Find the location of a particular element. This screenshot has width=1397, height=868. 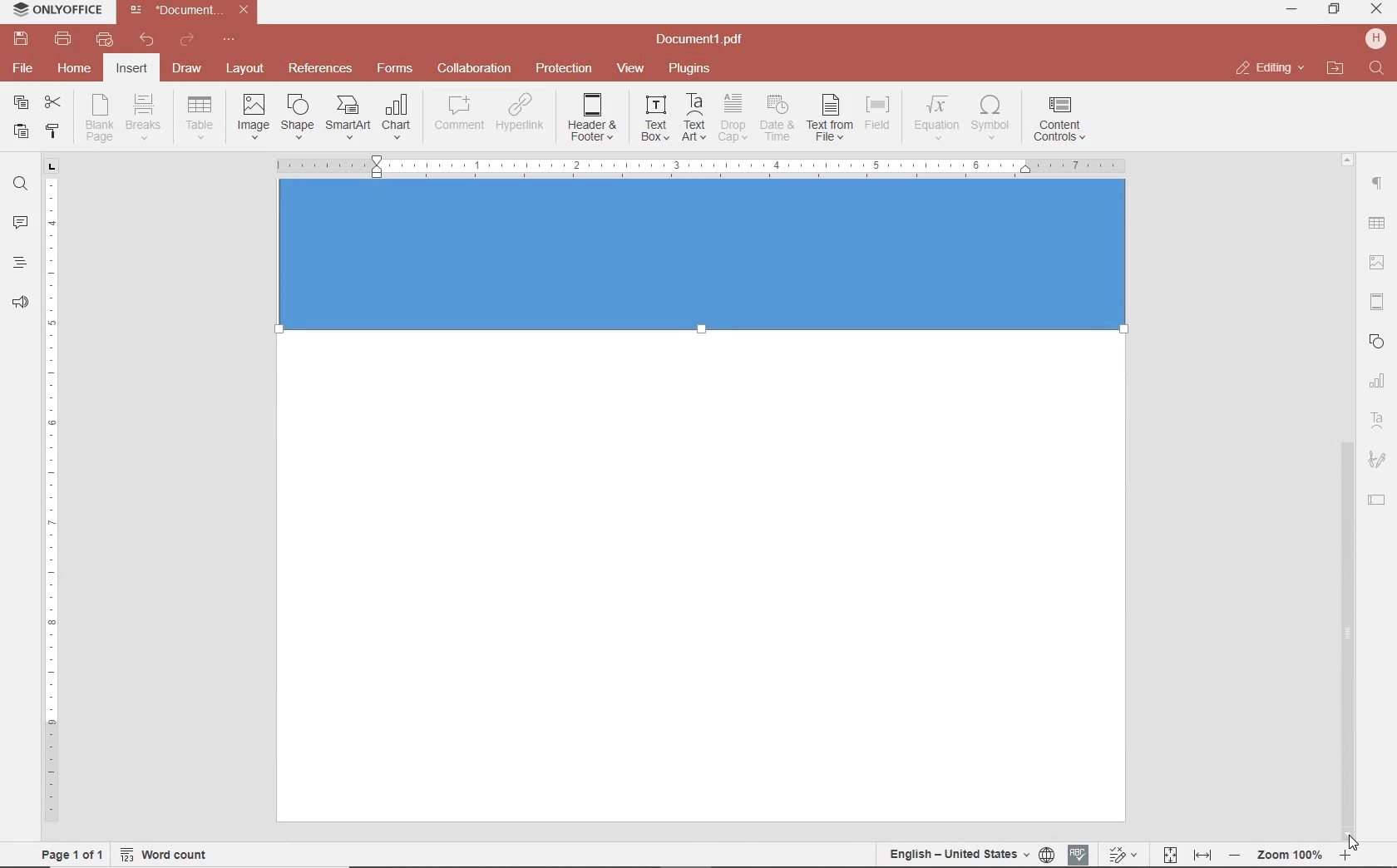

find is located at coordinates (1379, 69).